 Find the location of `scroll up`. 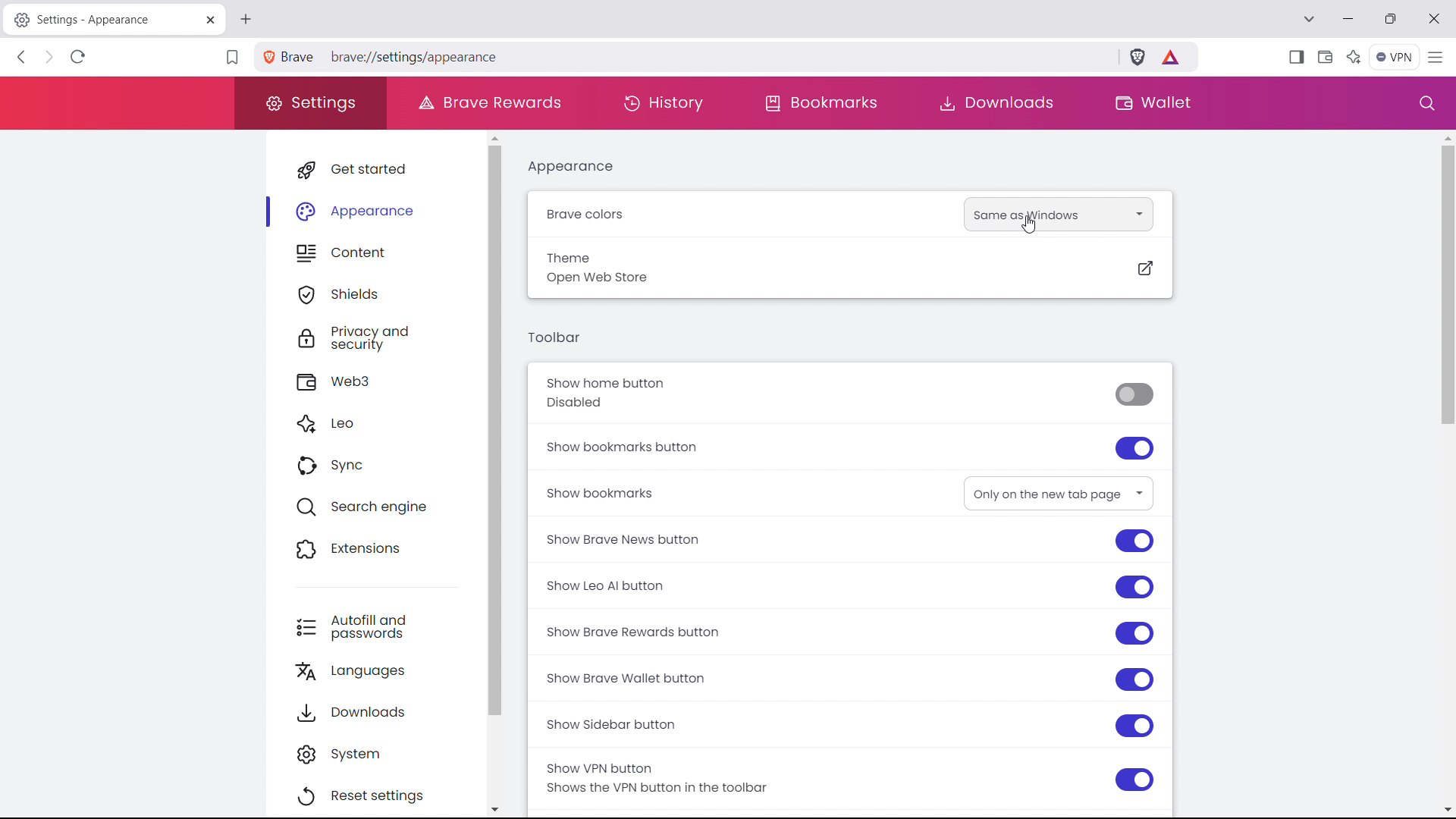

scroll up is located at coordinates (1446, 137).